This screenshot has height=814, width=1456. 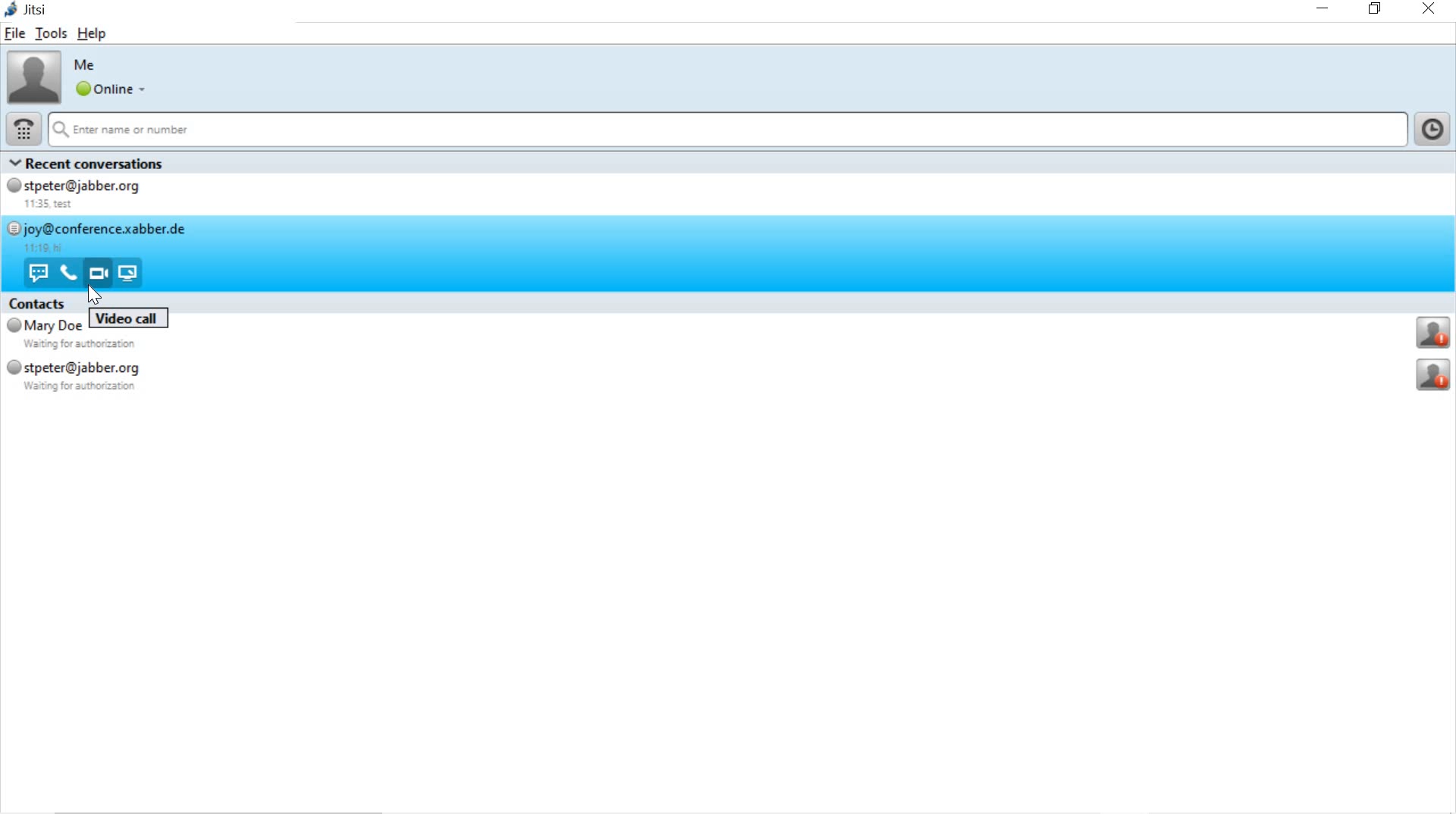 I want to click on waiting for authorization, so click(x=88, y=345).